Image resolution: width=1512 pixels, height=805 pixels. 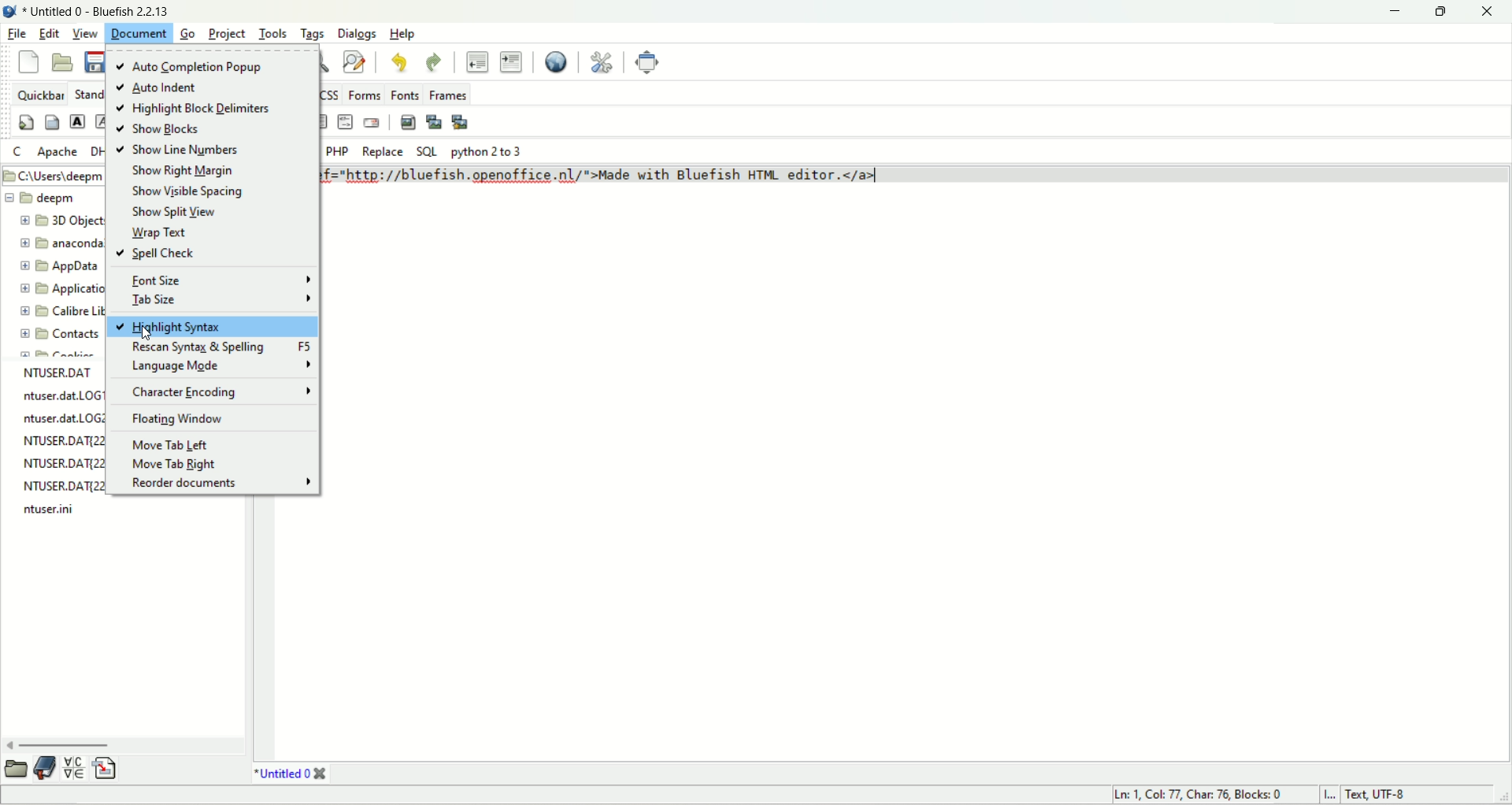 What do you see at coordinates (345, 123) in the screenshot?
I see `HTML comment` at bounding box center [345, 123].